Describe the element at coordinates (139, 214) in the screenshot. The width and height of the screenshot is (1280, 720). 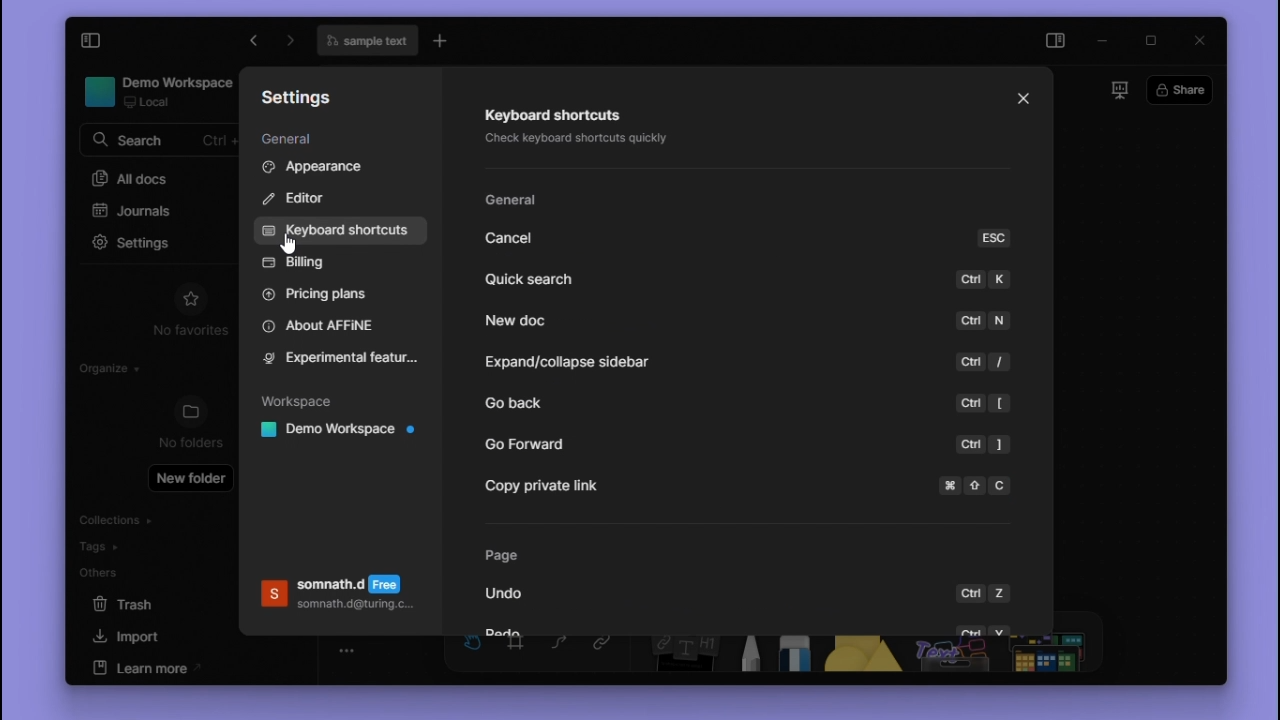
I see `Journals` at that location.